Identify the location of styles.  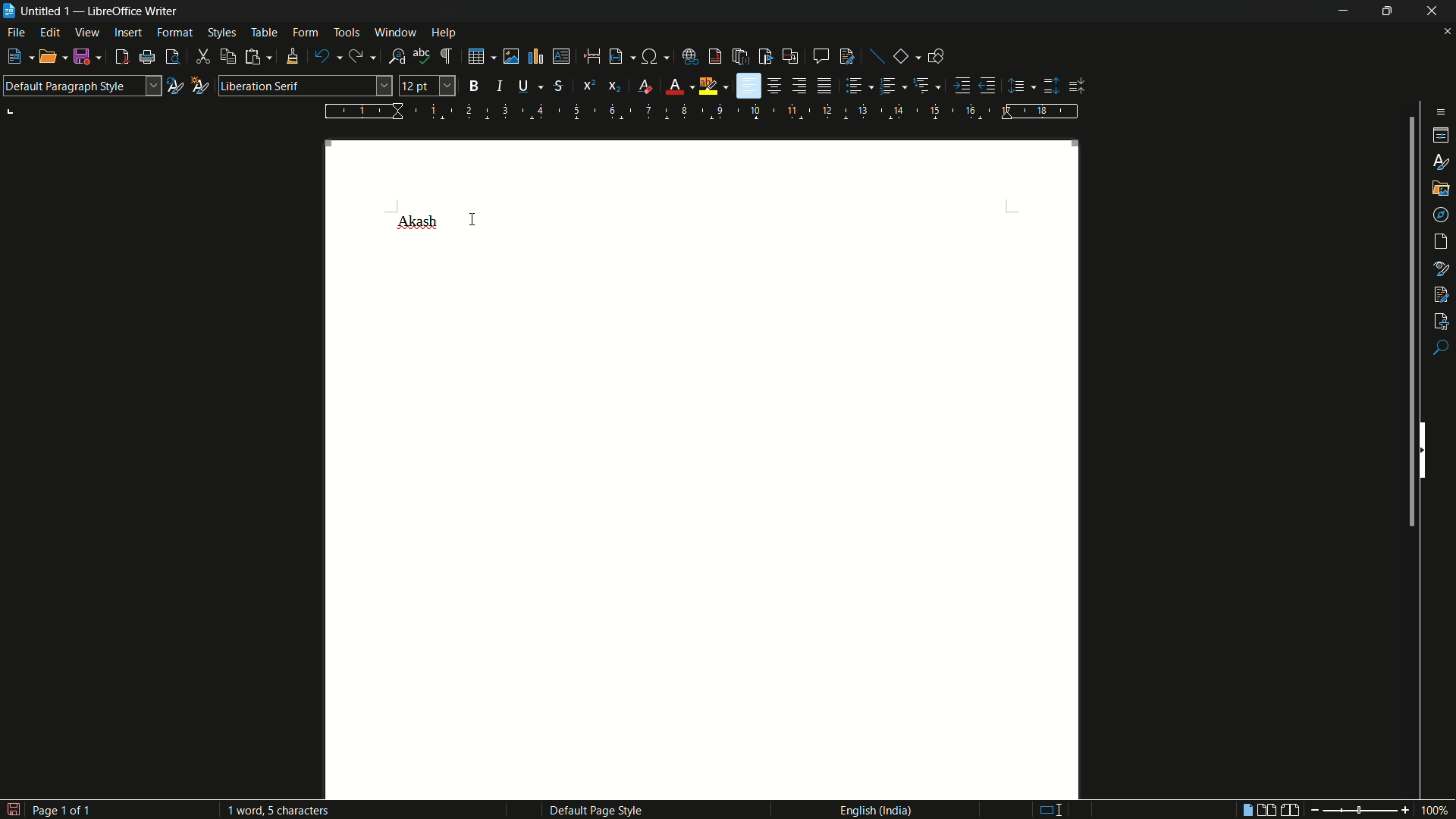
(1442, 161).